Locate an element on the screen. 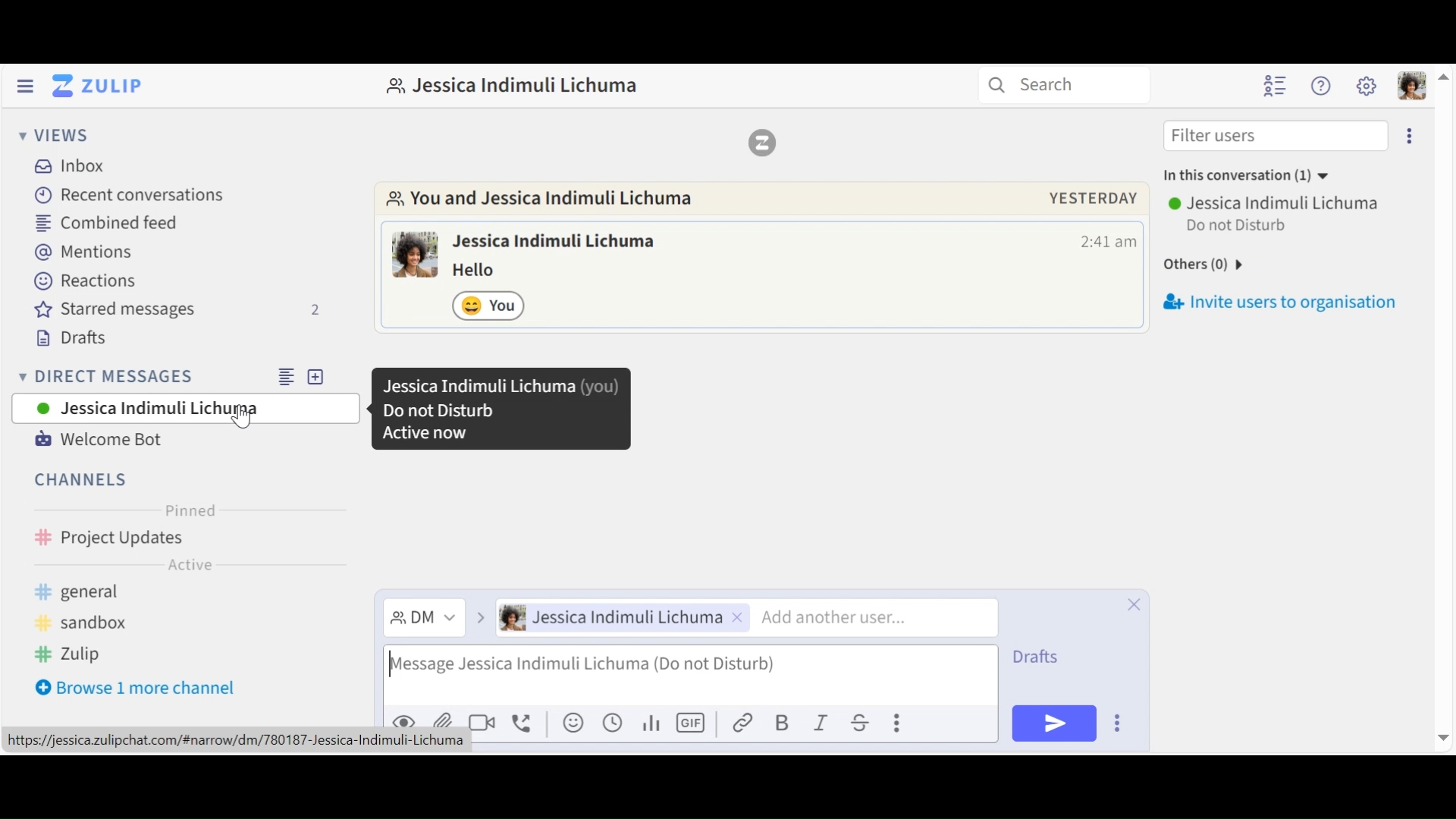  Close is located at coordinates (1134, 603).